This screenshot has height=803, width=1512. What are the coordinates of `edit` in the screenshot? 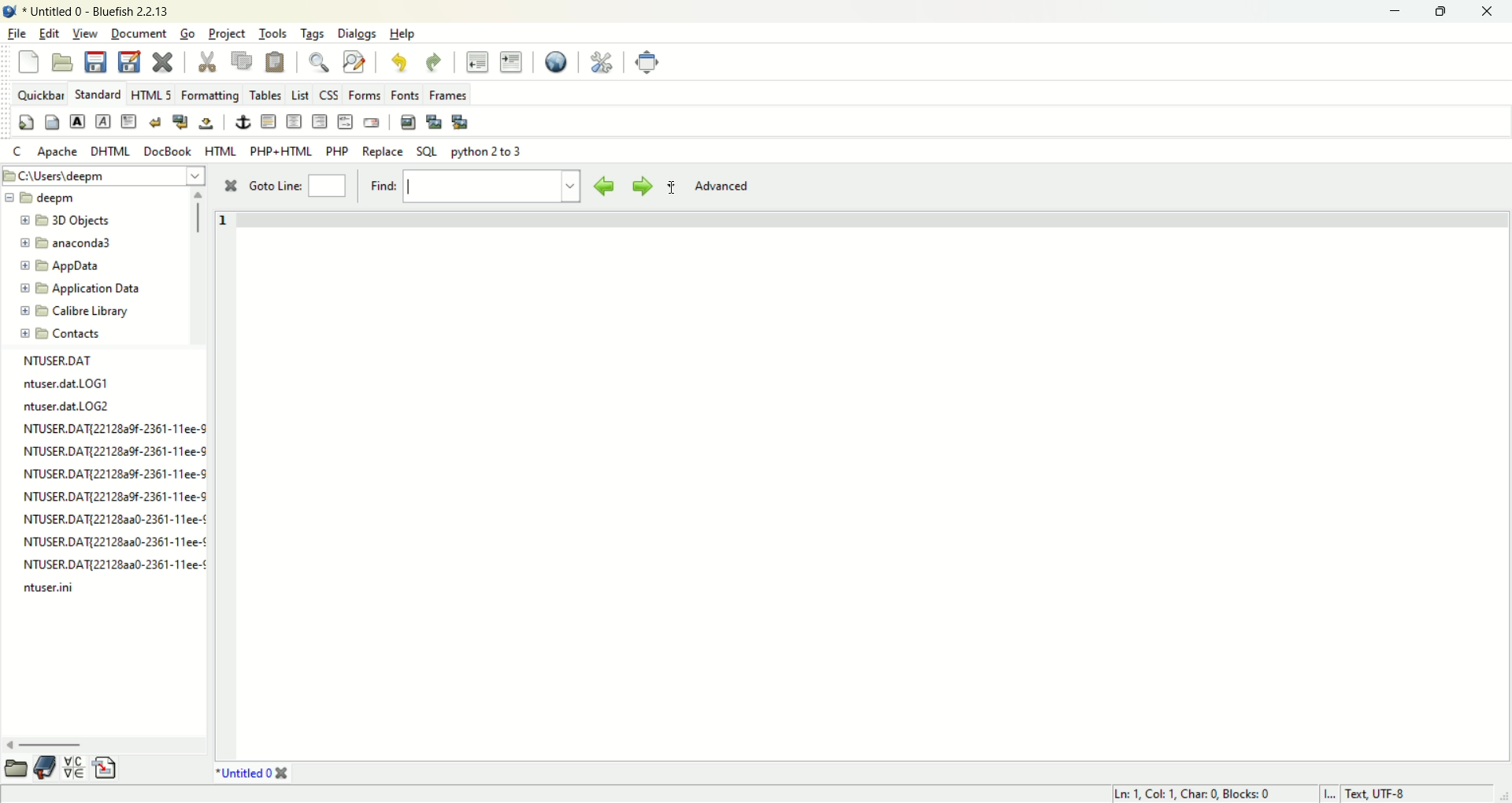 It's located at (49, 33).